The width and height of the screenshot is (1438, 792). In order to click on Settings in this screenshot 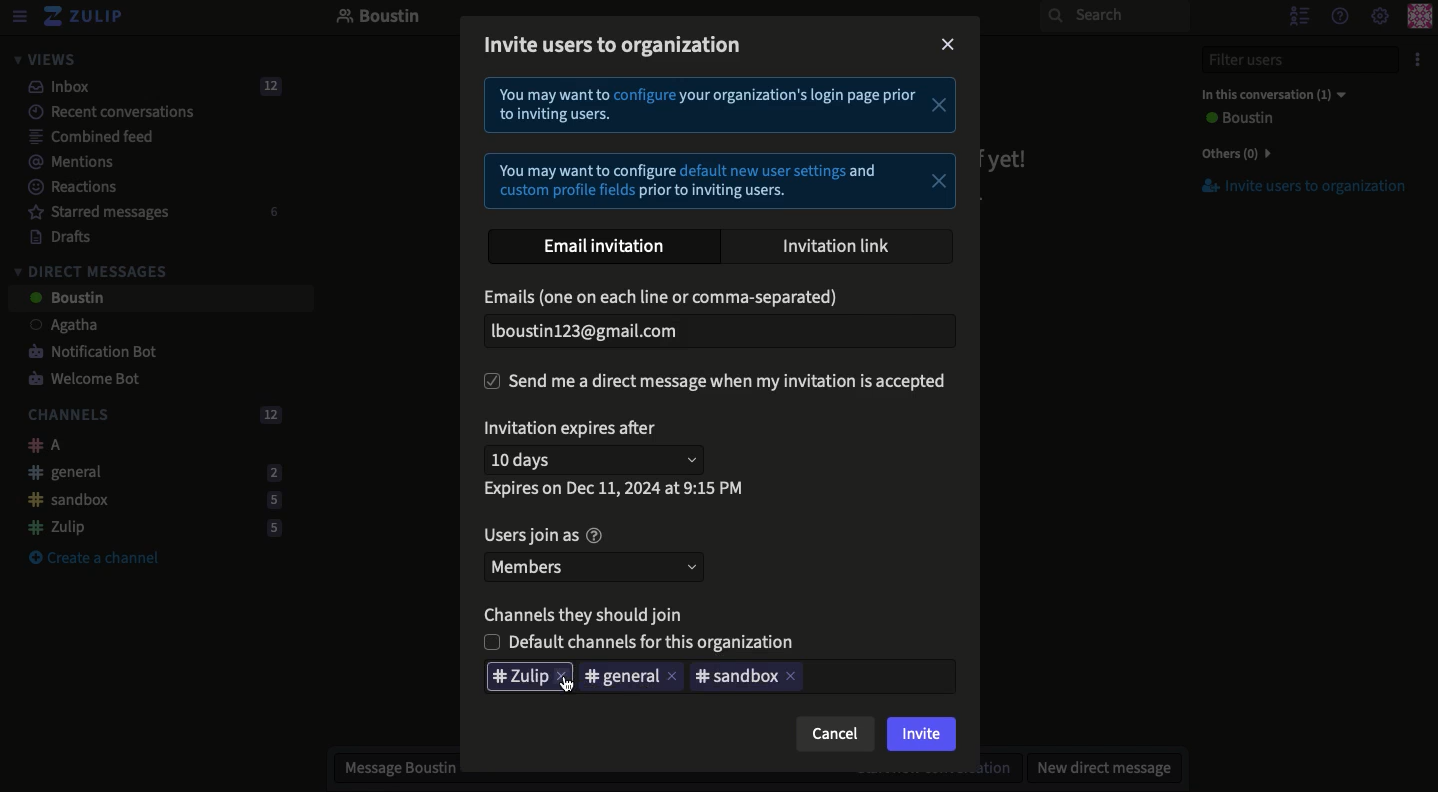, I will do `click(1380, 17)`.